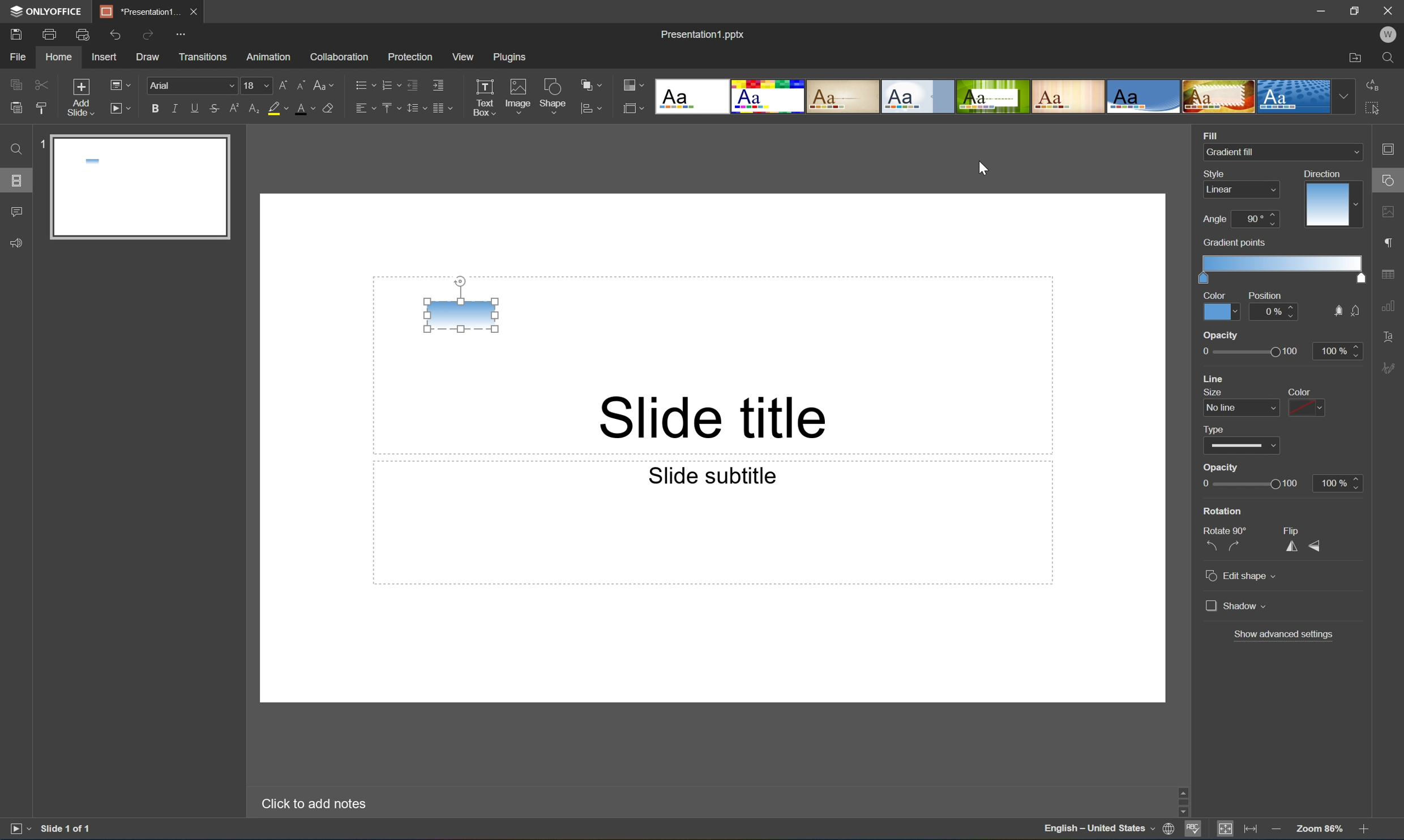 This screenshot has width=1404, height=840. What do you see at coordinates (1210, 134) in the screenshot?
I see `Fill` at bounding box center [1210, 134].